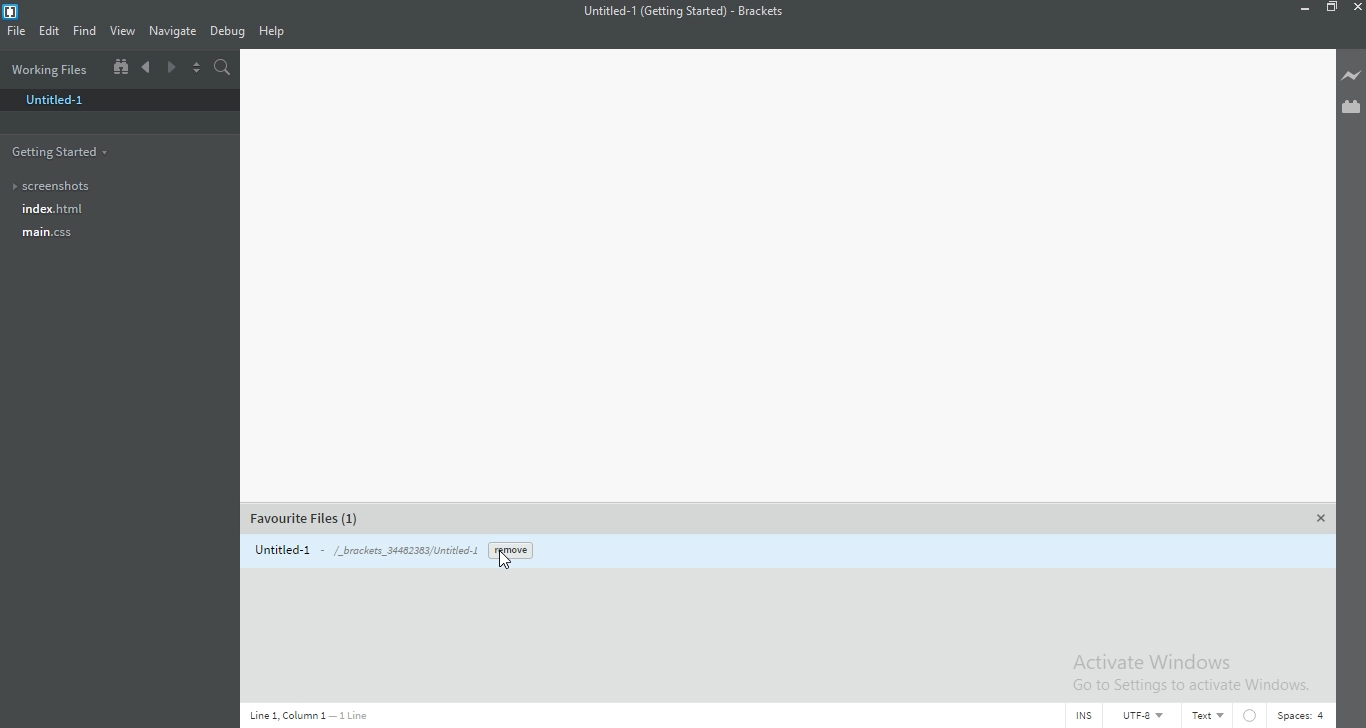  Describe the element at coordinates (1347, 76) in the screenshot. I see `Live preview` at that location.